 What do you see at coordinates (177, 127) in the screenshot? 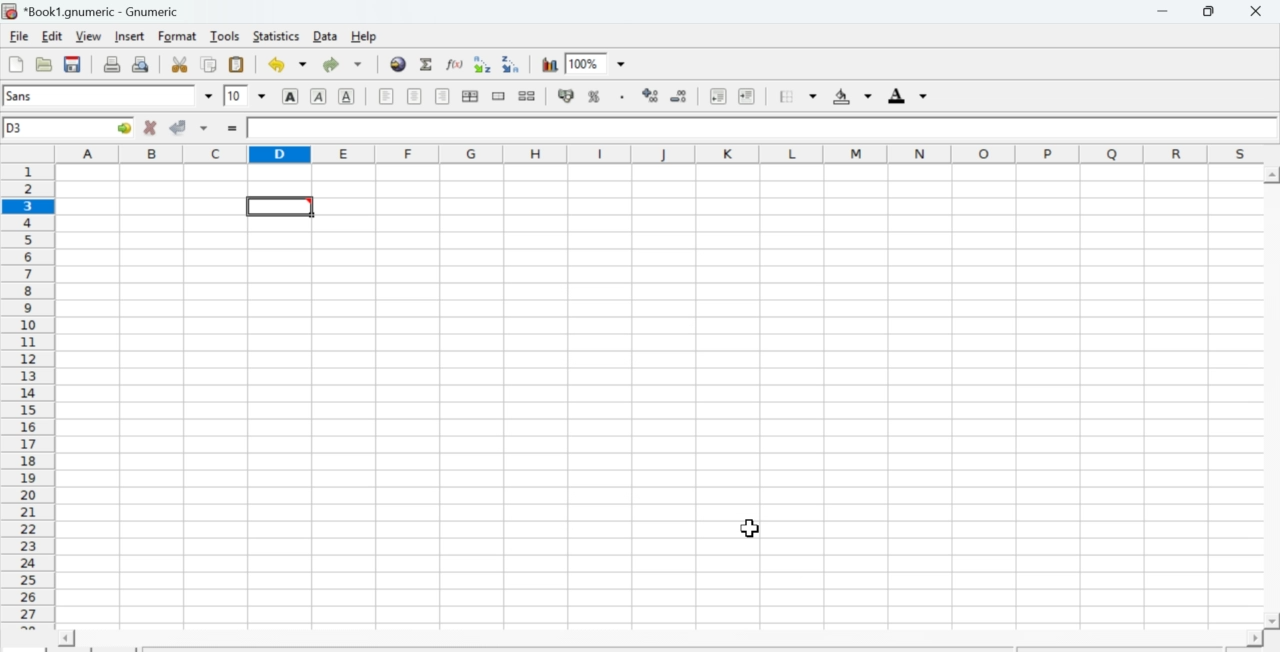
I see `Accept change` at bounding box center [177, 127].